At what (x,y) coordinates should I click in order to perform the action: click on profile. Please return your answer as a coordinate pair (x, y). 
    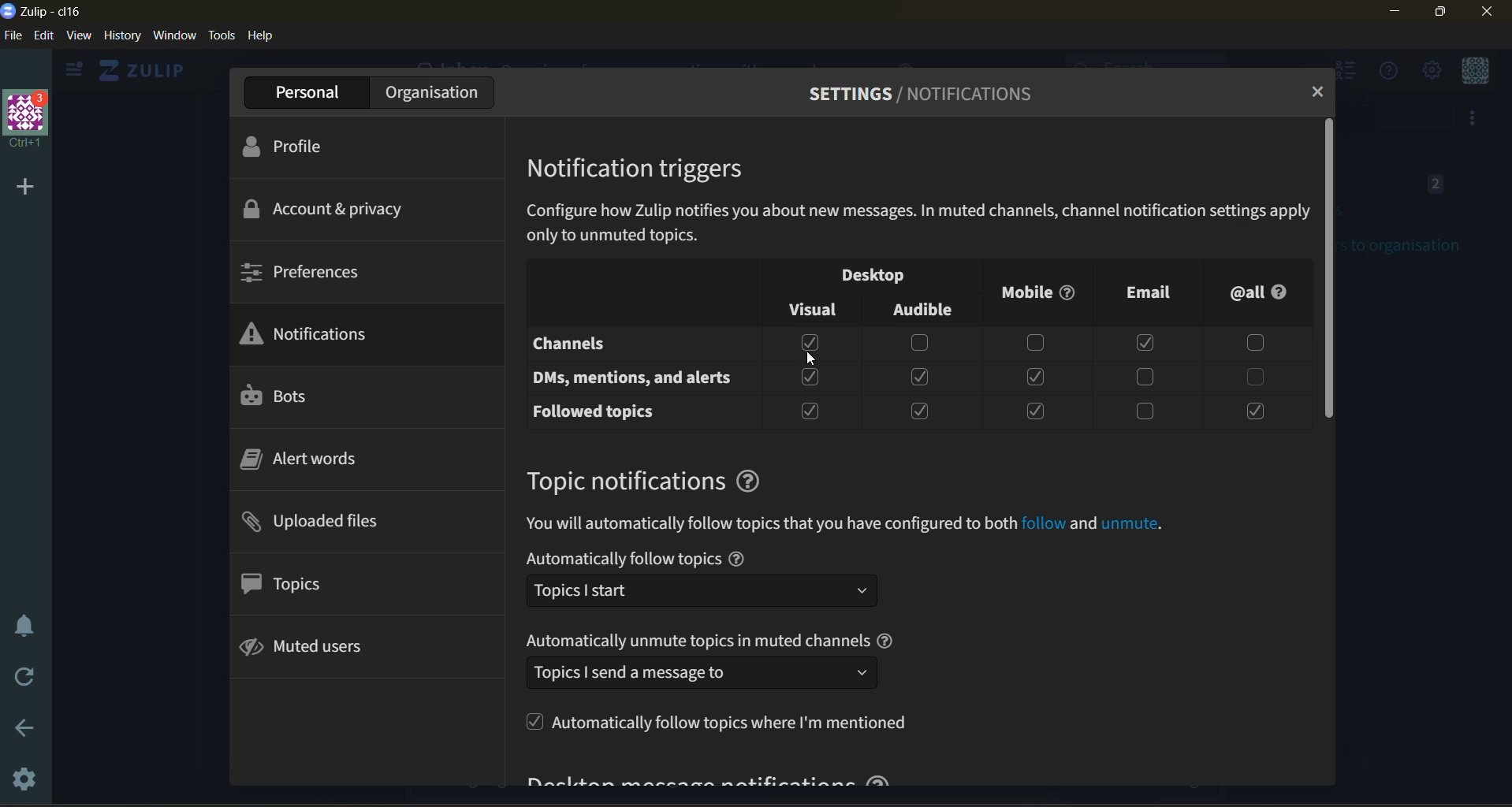
    Looking at the image, I should click on (299, 149).